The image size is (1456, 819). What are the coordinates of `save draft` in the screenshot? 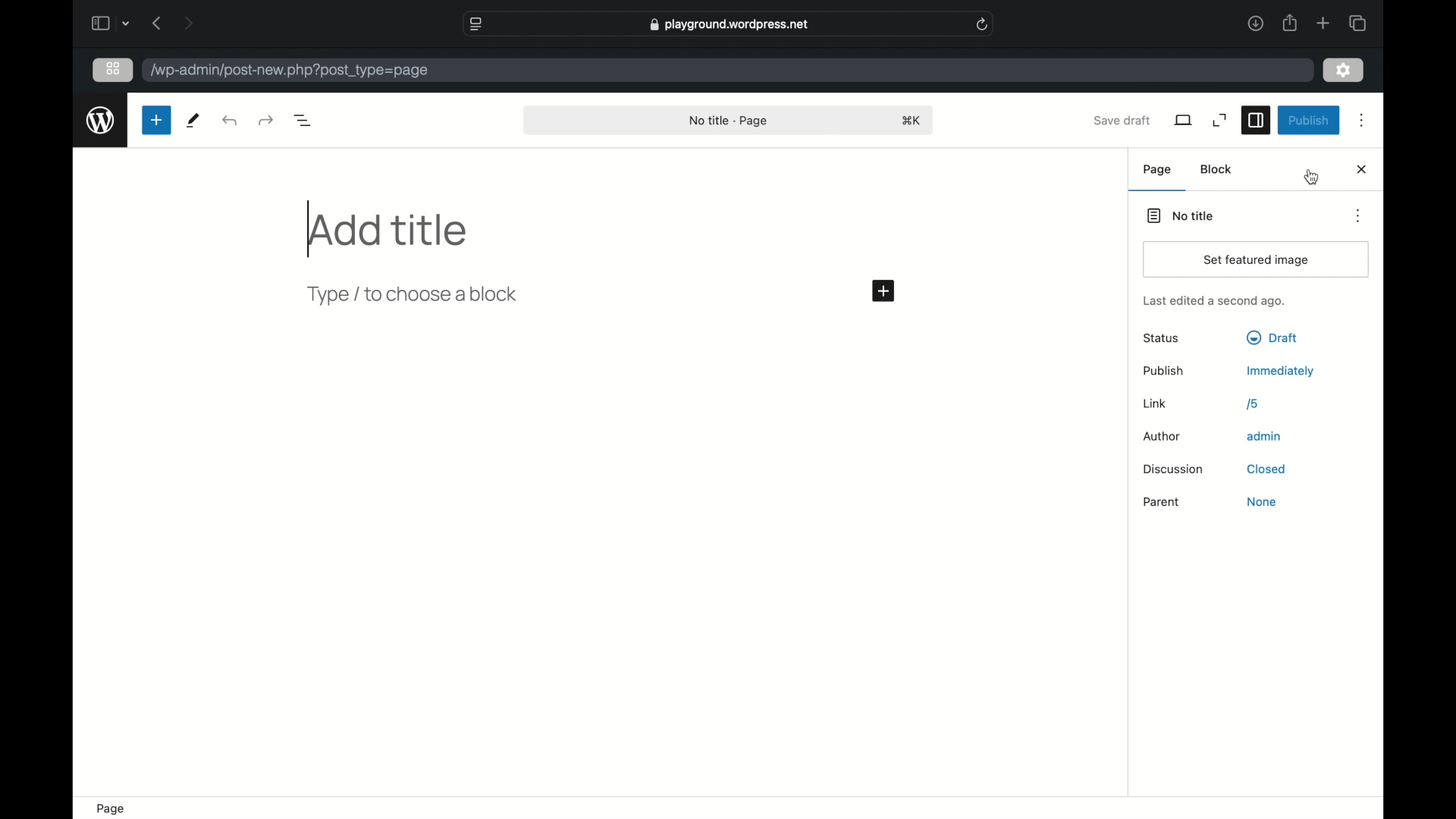 It's located at (1122, 120).